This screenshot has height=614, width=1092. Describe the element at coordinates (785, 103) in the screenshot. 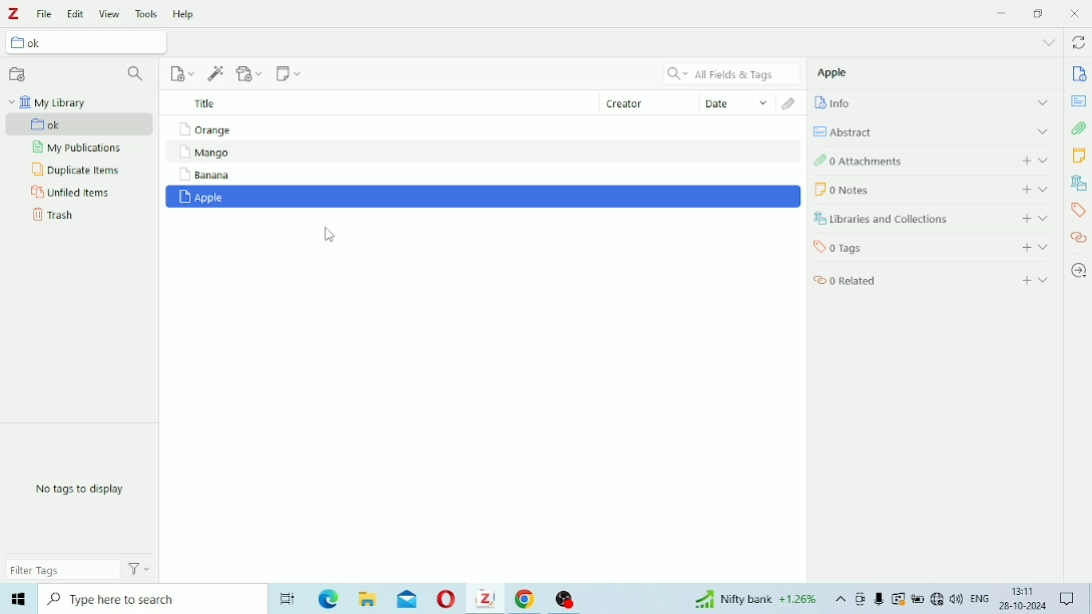

I see `Attachments` at that location.